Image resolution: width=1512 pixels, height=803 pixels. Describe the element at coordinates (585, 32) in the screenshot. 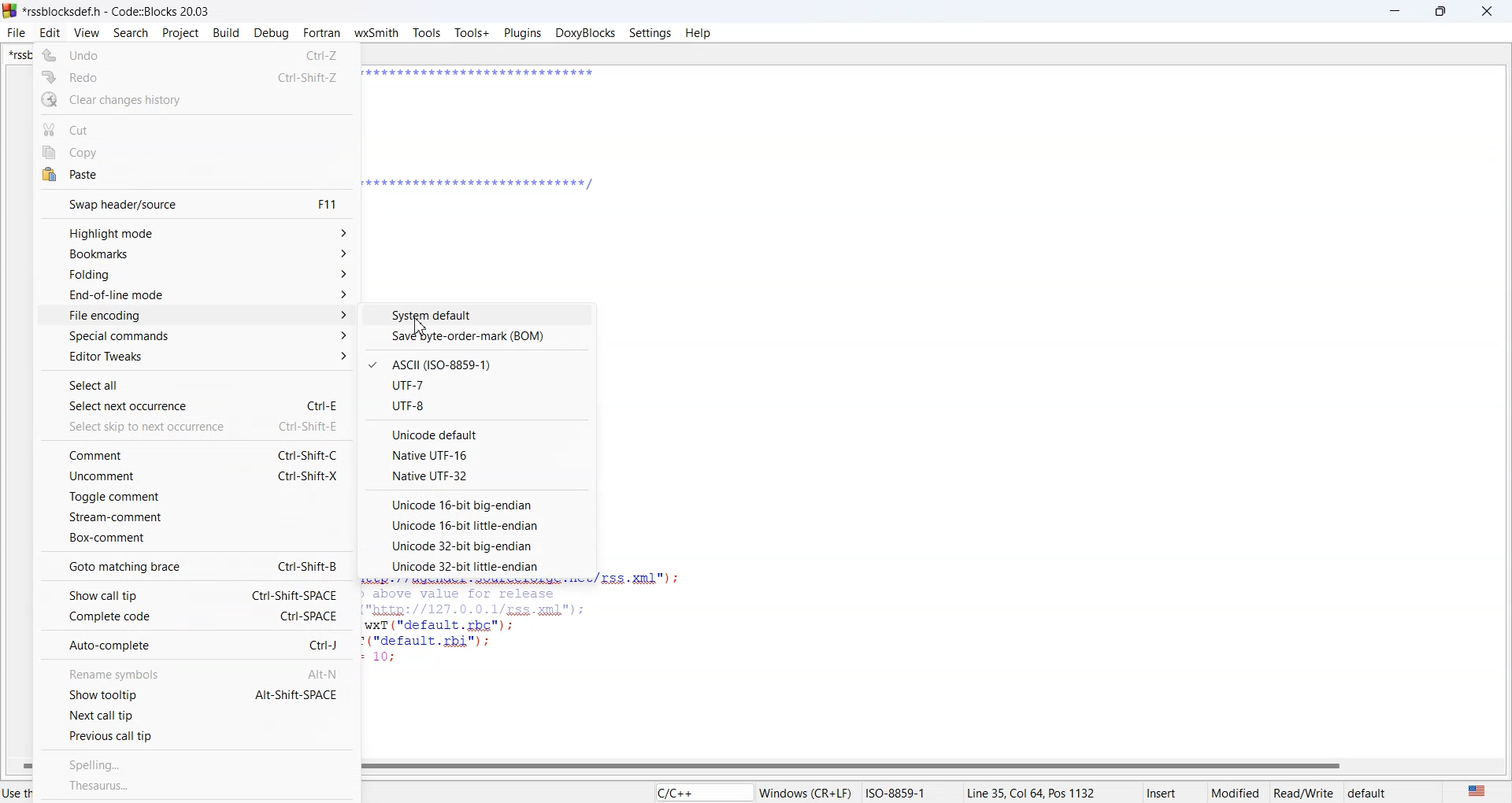

I see `Doxyblocks` at that location.